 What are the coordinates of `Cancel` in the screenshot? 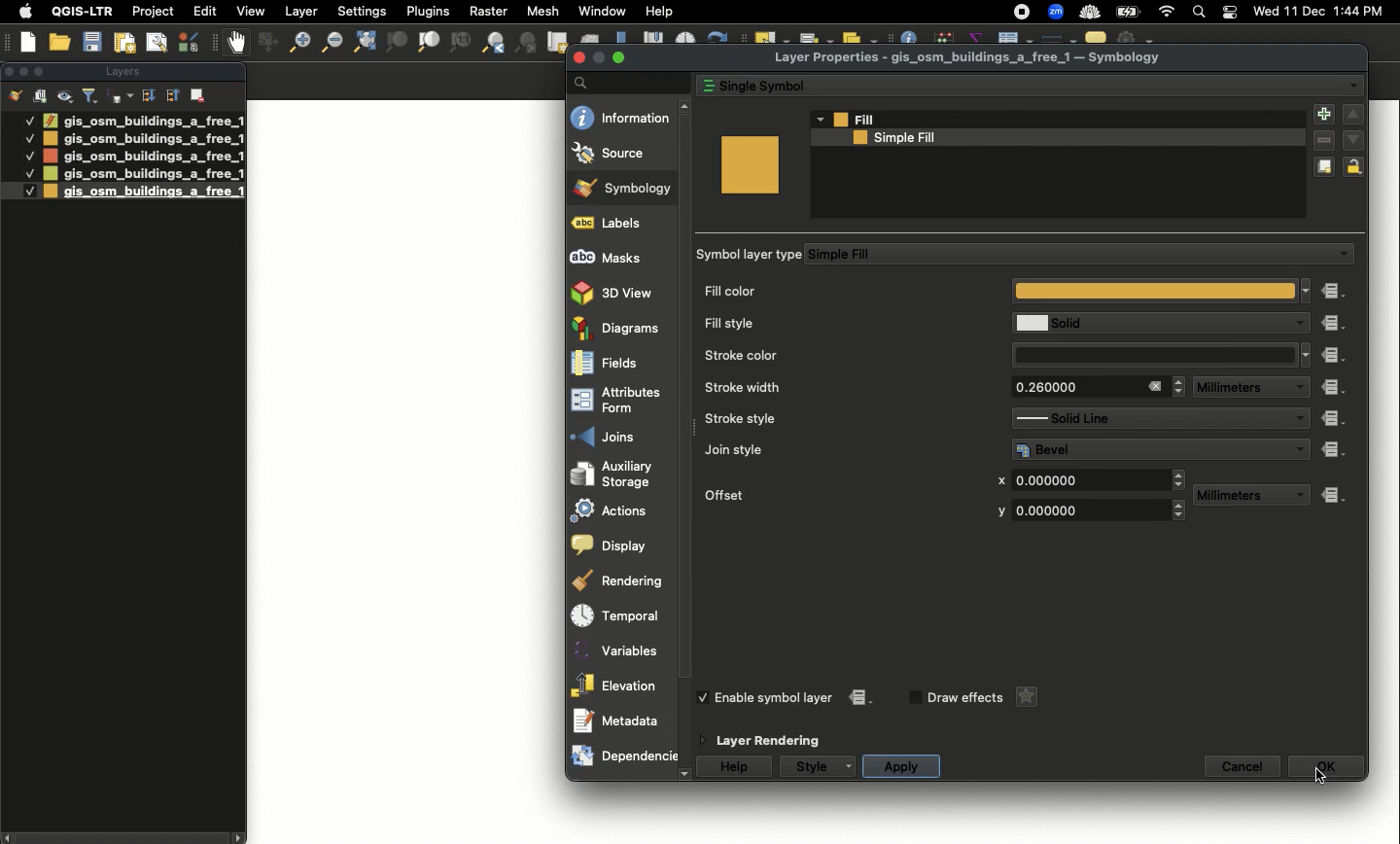 It's located at (1243, 766).